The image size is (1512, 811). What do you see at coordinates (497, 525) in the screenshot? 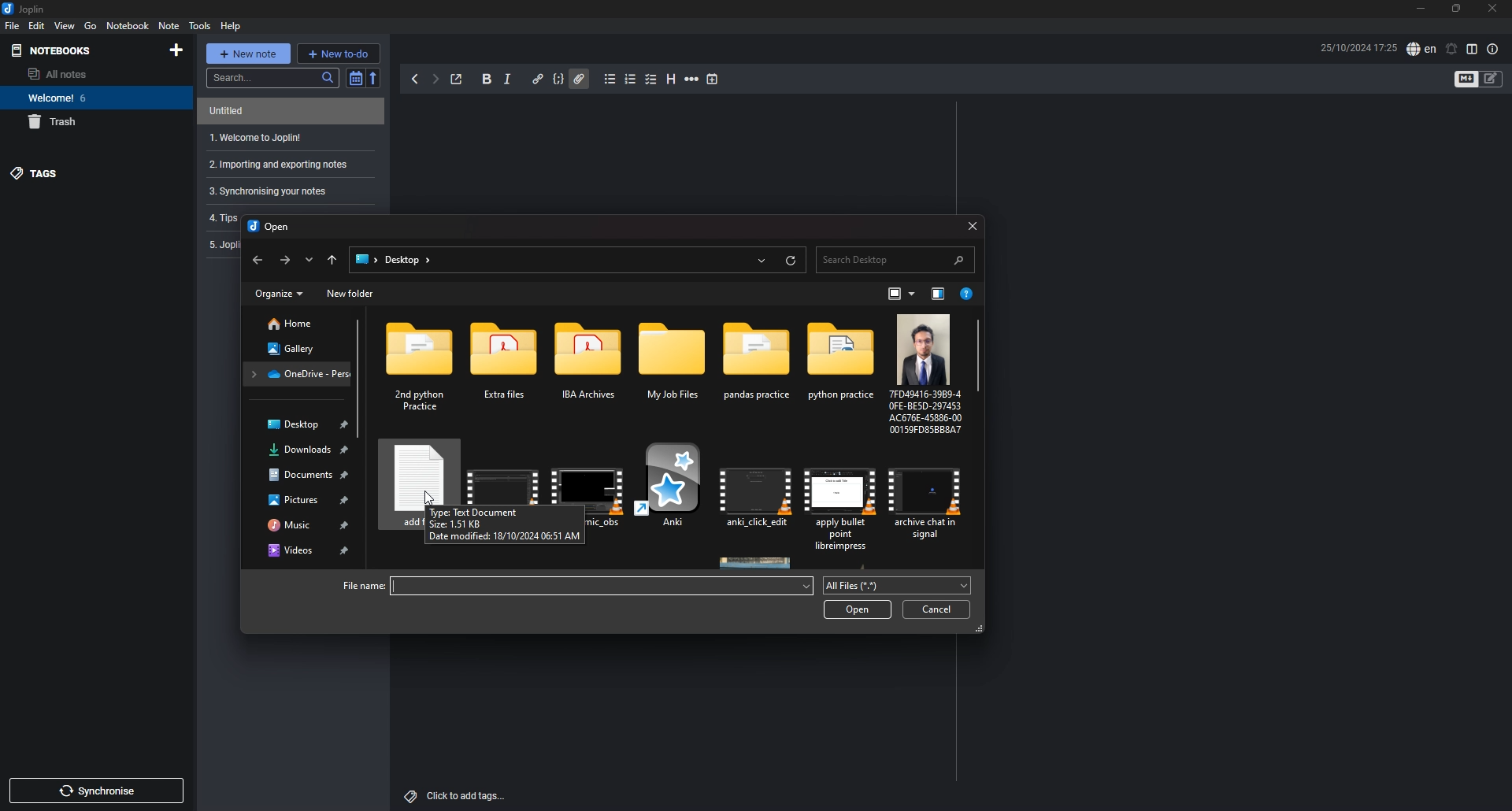
I see `Type: Text Document Size: 1.51 kB Date modified: 18/10/2024 06:51 AM` at bounding box center [497, 525].